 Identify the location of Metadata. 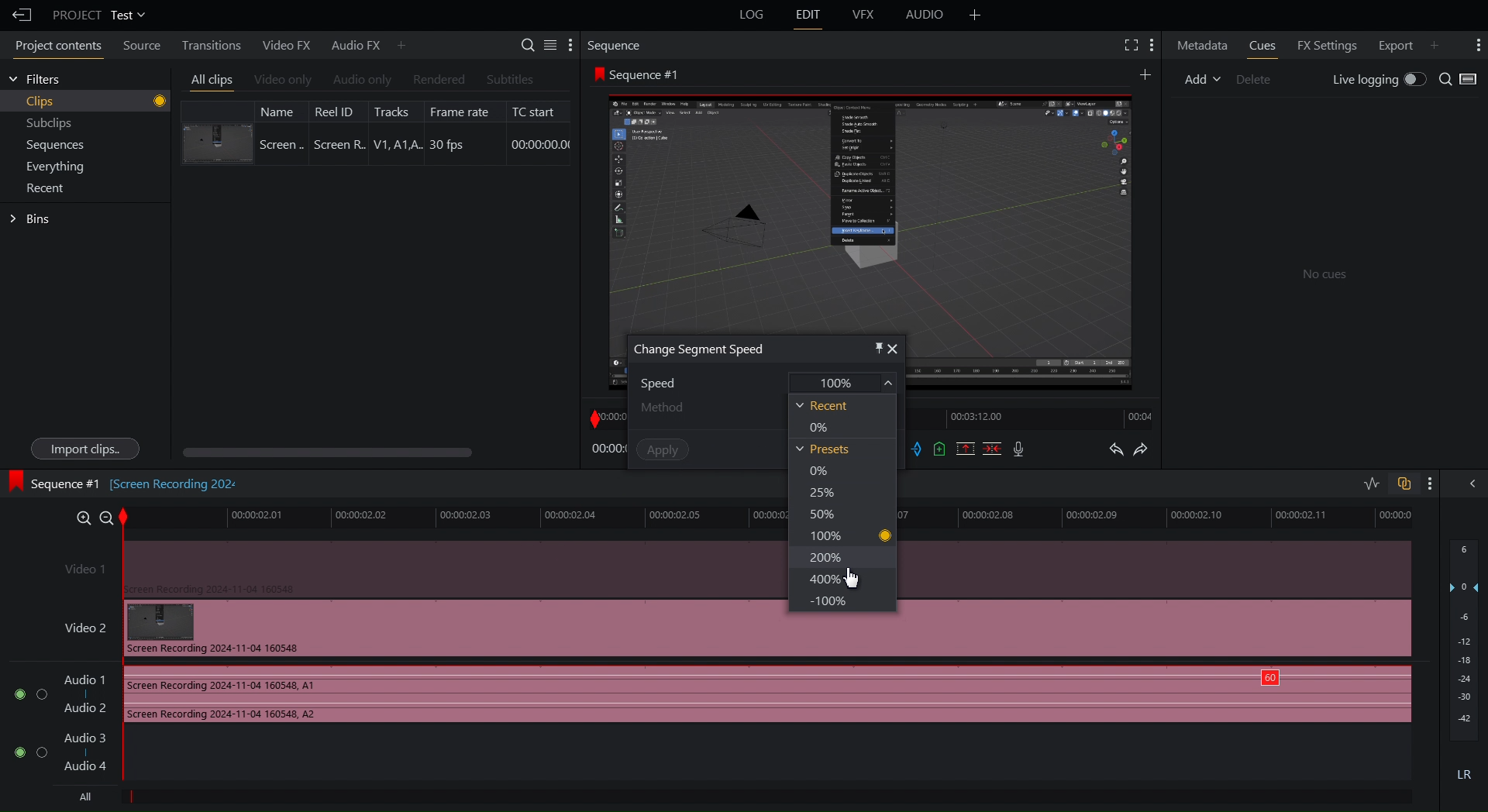
(1203, 44).